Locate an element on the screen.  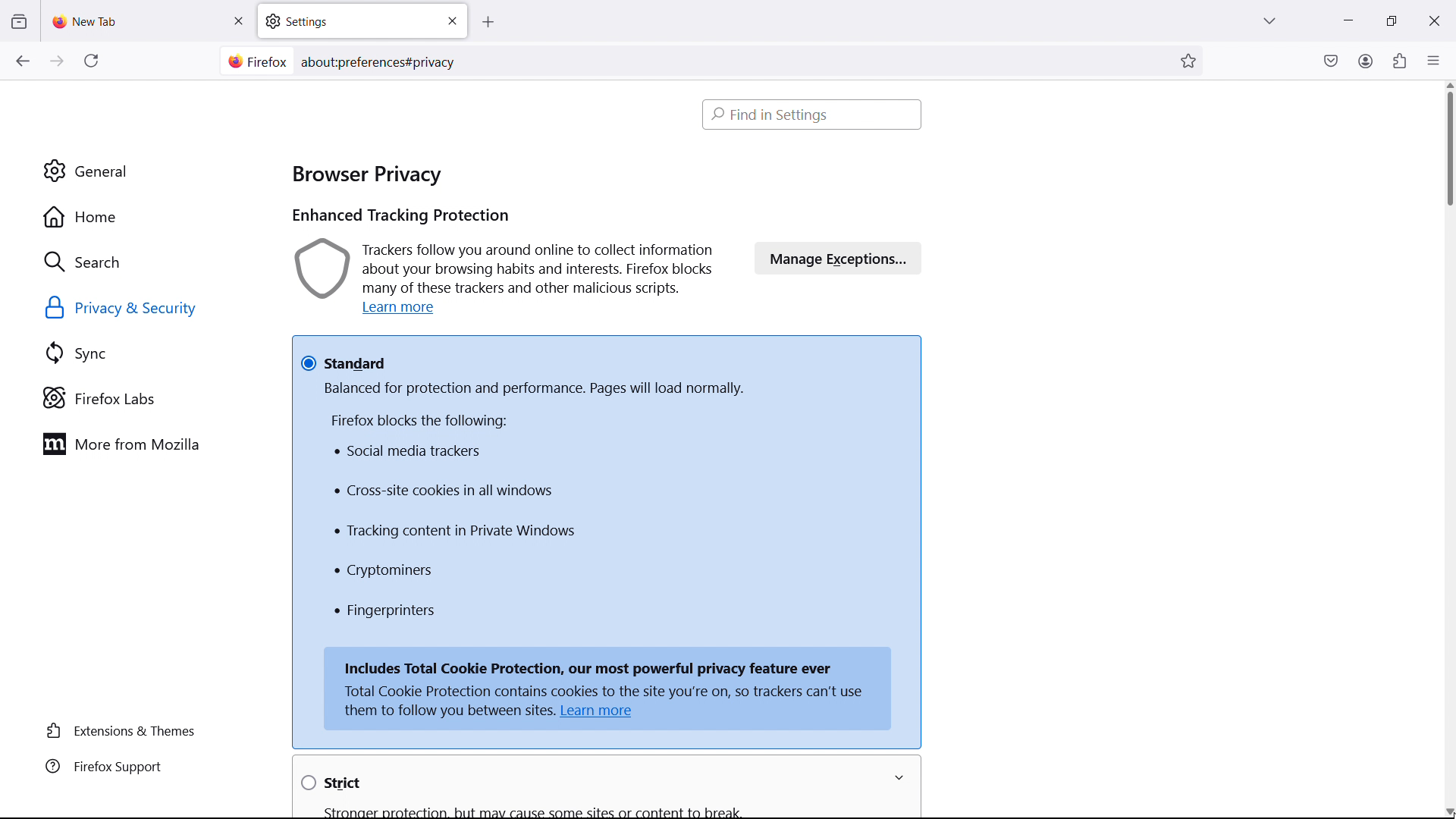
manage exceptions is located at coordinates (839, 257).